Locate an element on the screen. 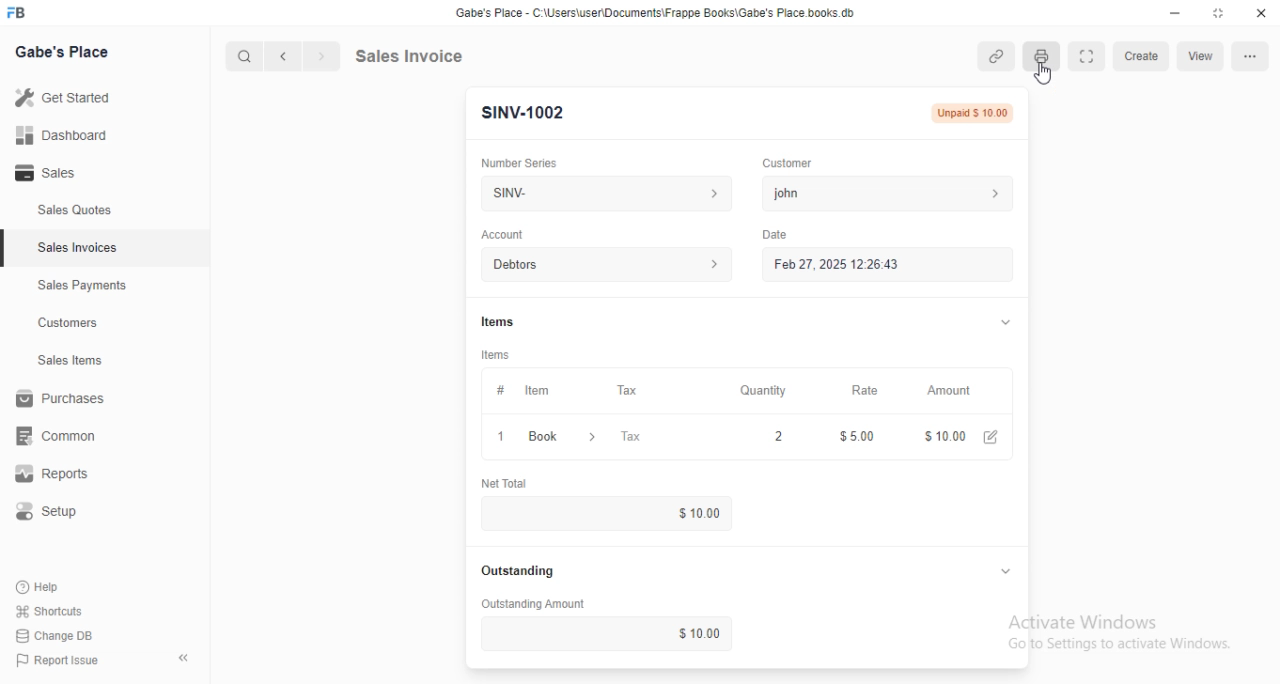  sales is located at coordinates (48, 172).